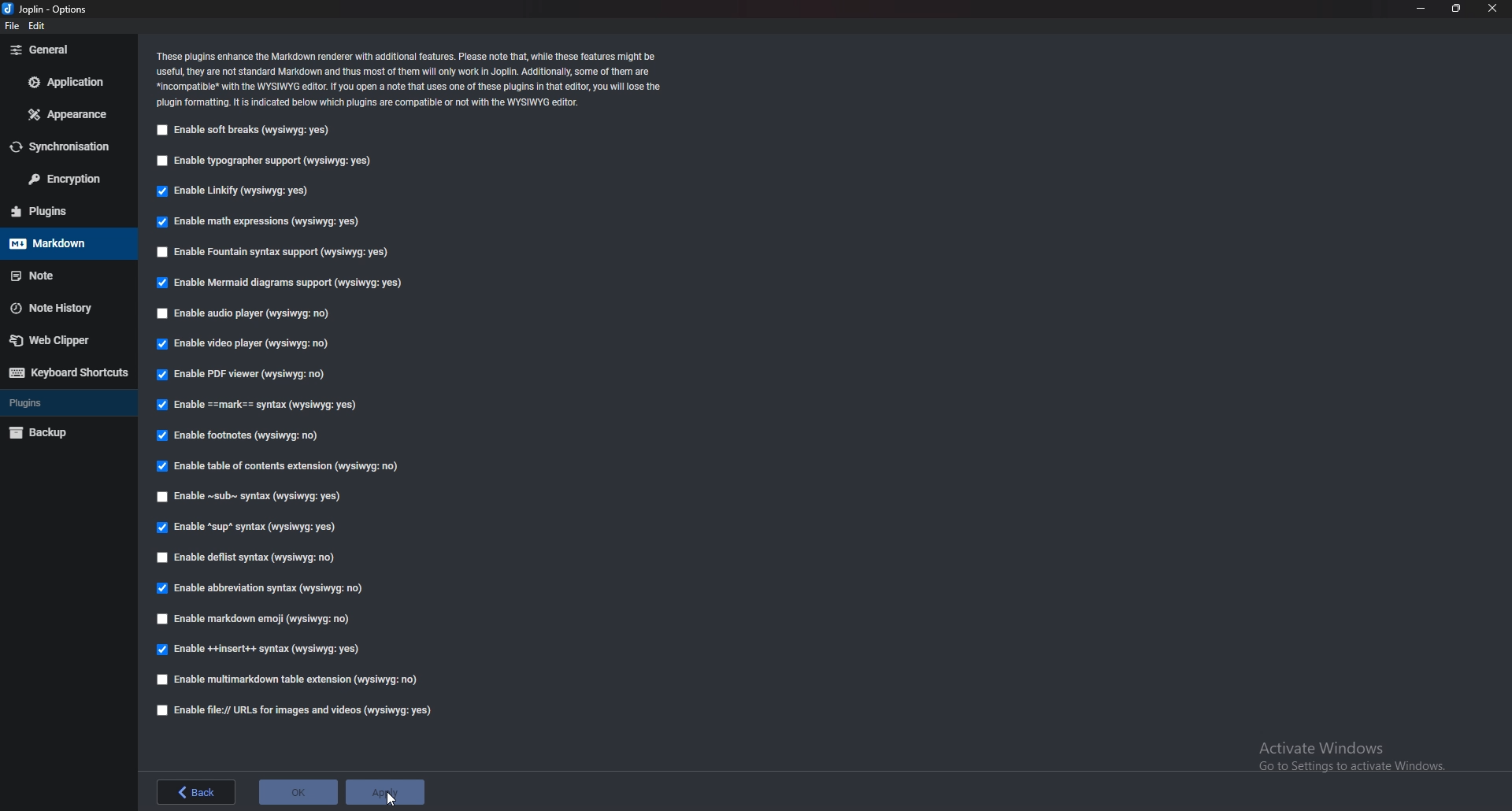 The width and height of the screenshot is (1512, 811). What do you see at coordinates (196, 794) in the screenshot?
I see `back` at bounding box center [196, 794].